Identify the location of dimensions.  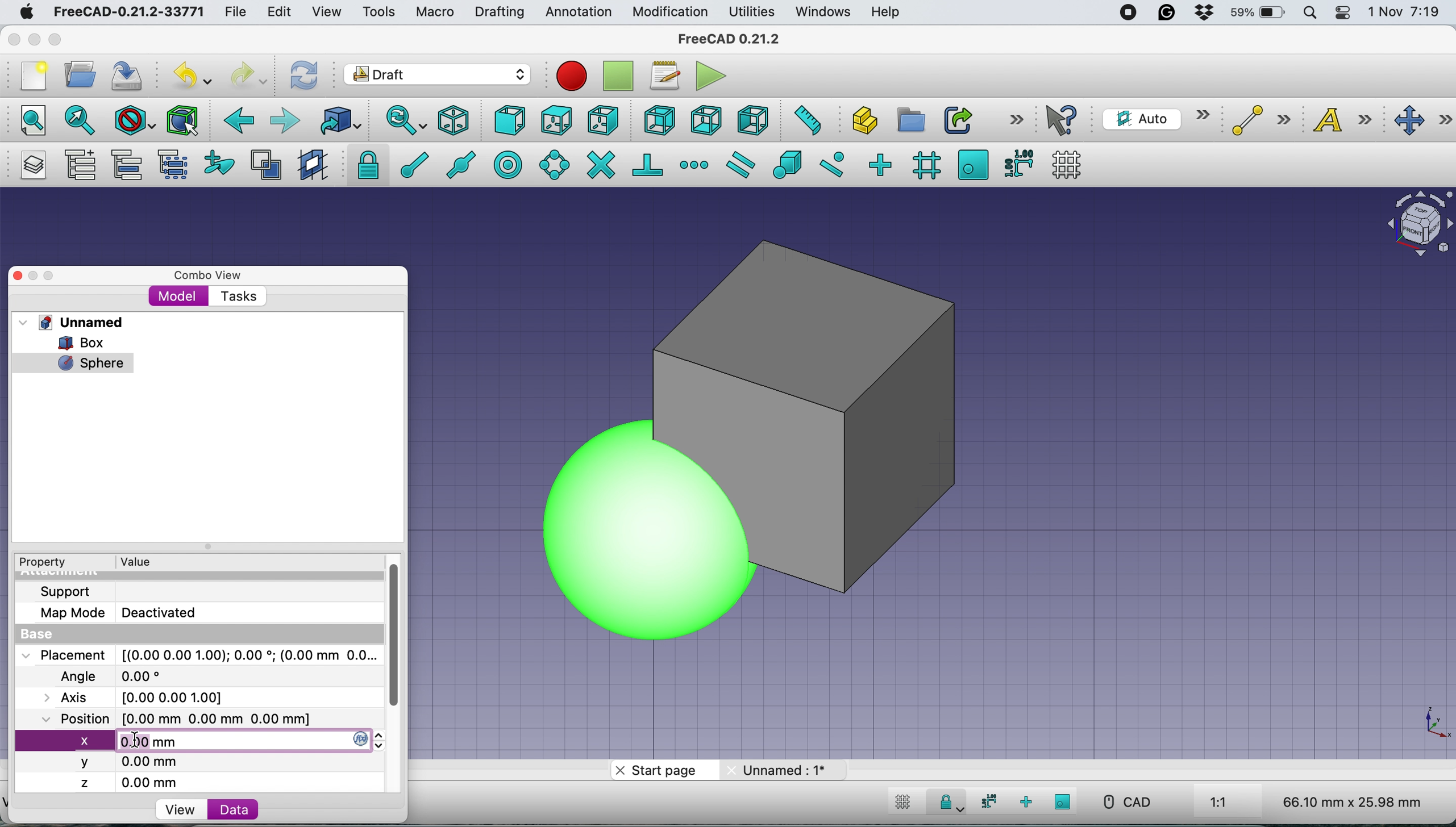
(1349, 801).